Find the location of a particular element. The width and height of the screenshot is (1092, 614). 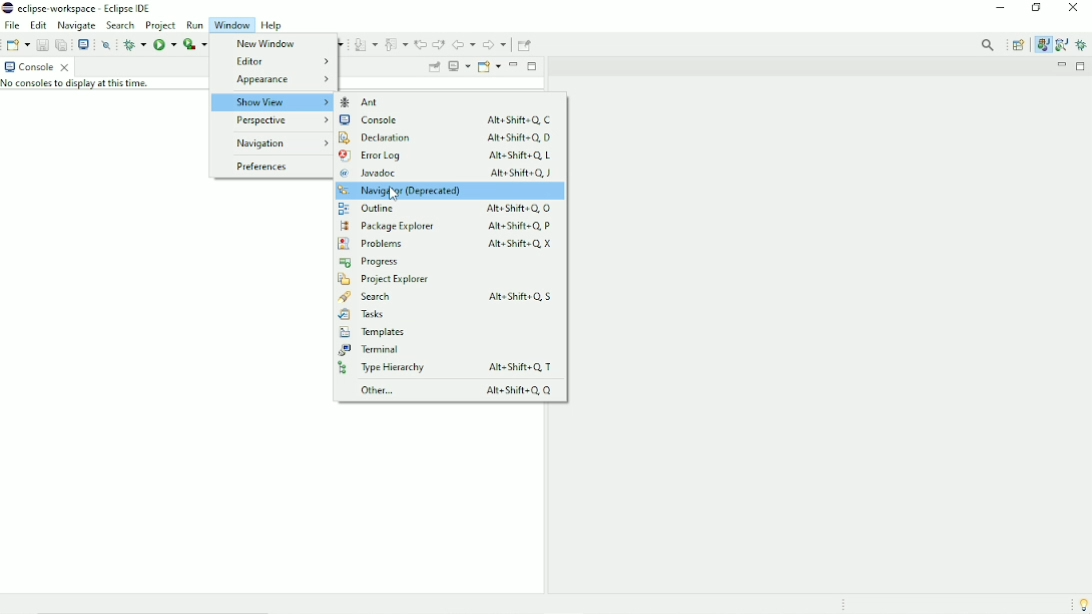

Declaration is located at coordinates (444, 137).